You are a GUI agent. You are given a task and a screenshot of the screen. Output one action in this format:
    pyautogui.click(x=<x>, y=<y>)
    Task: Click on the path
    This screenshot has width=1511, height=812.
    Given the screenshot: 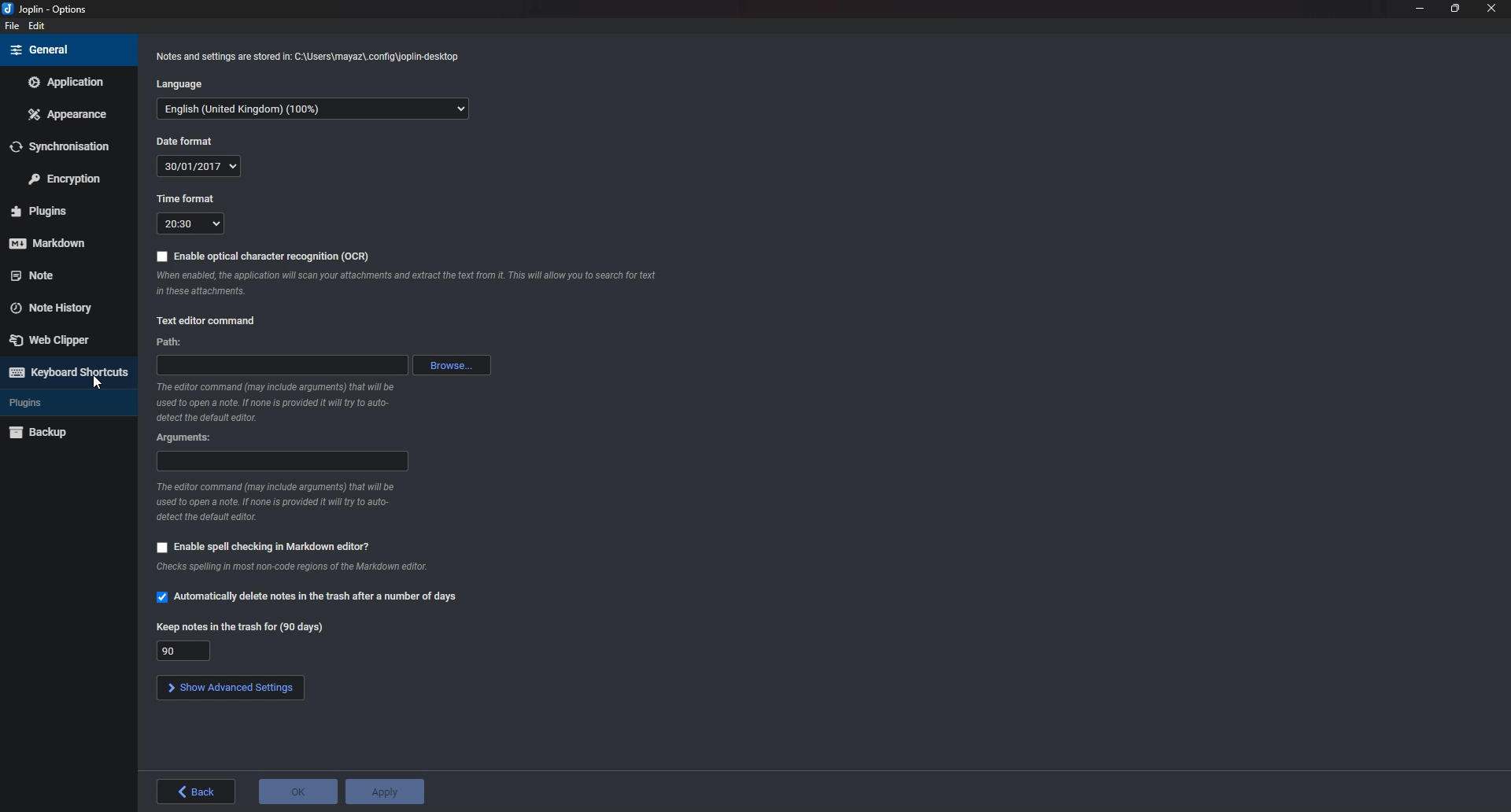 What is the action you would take?
    pyautogui.click(x=280, y=366)
    